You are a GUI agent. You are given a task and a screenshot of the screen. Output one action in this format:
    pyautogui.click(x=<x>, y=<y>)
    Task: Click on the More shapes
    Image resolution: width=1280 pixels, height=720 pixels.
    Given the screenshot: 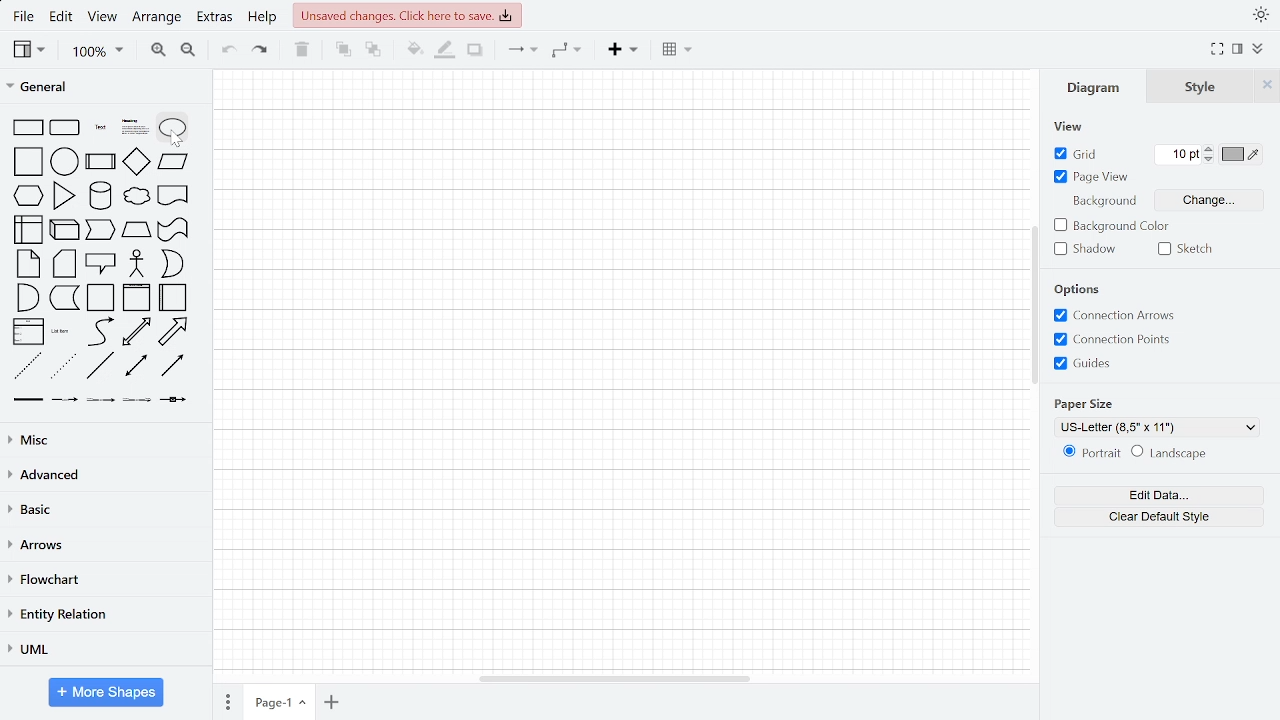 What is the action you would take?
    pyautogui.click(x=106, y=692)
    